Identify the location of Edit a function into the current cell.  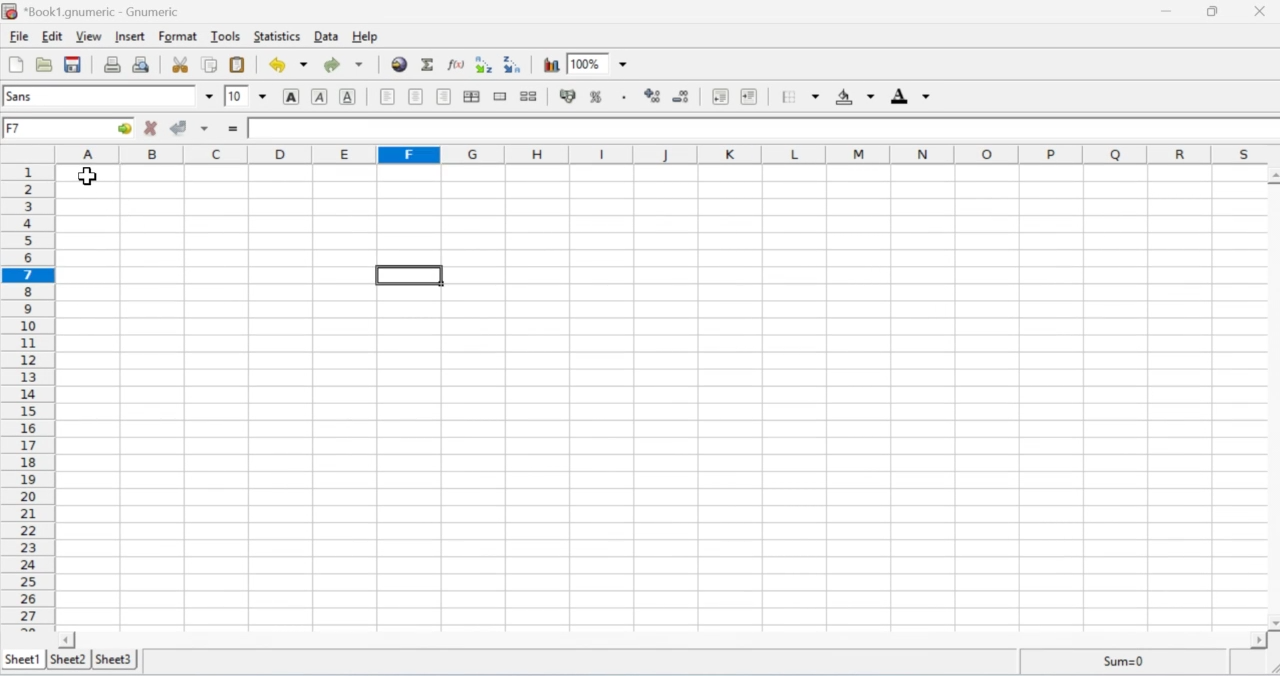
(457, 65).